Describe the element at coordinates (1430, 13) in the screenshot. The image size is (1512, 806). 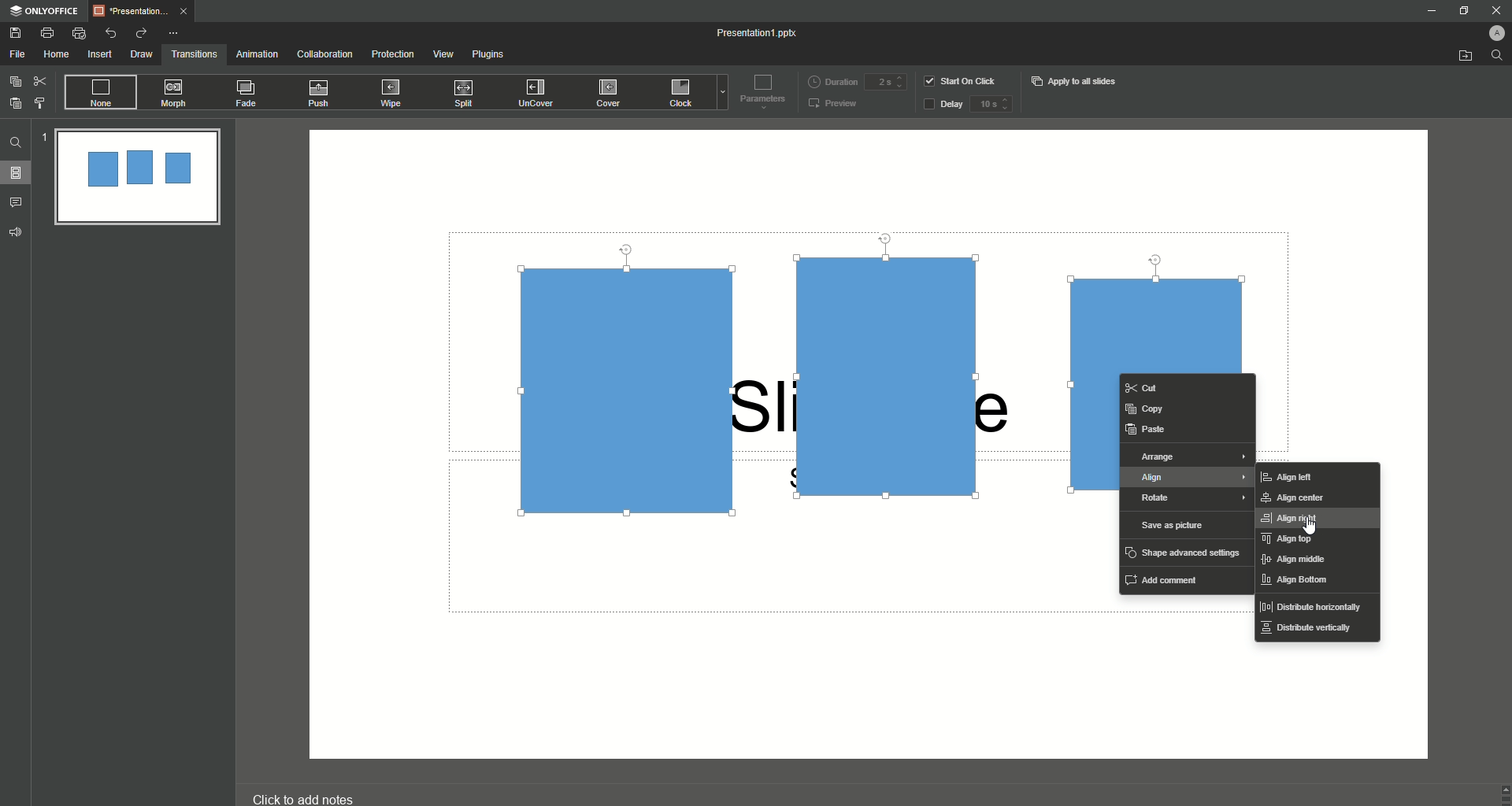
I see `Minimize` at that location.